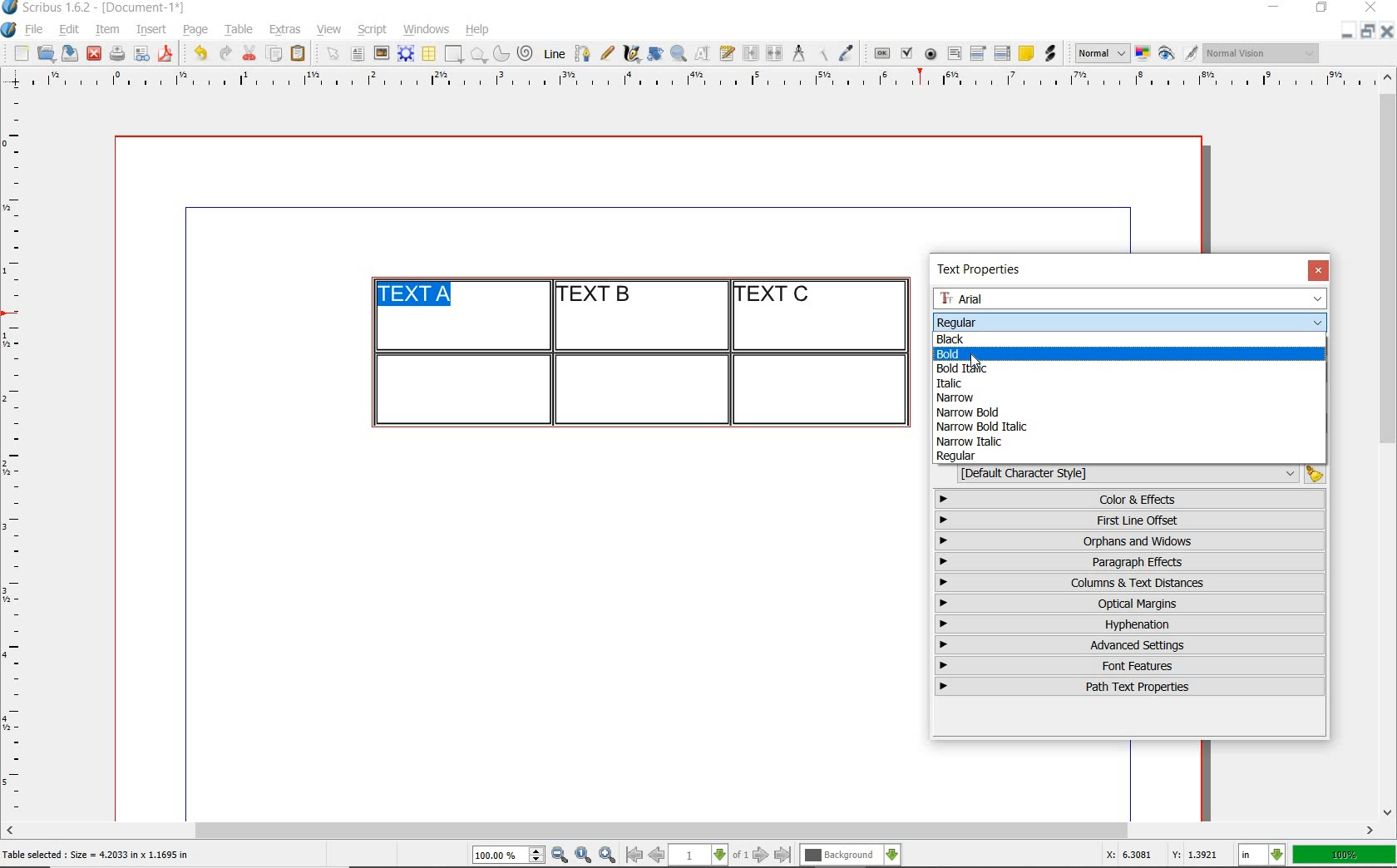 This screenshot has width=1397, height=868. I want to click on optical margins, so click(1131, 604).